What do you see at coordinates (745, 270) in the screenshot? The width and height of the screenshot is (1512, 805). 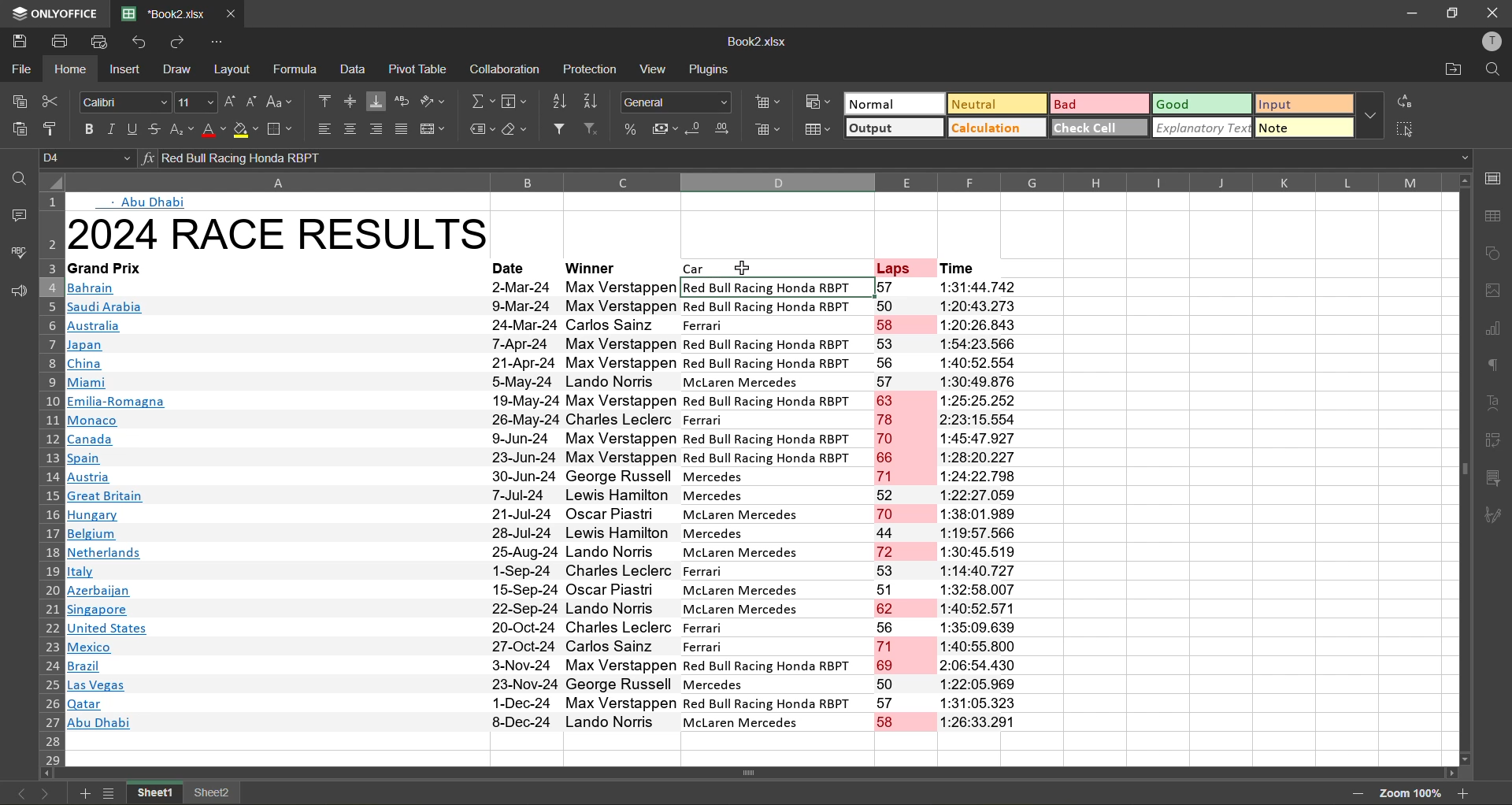 I see `cursor` at bounding box center [745, 270].